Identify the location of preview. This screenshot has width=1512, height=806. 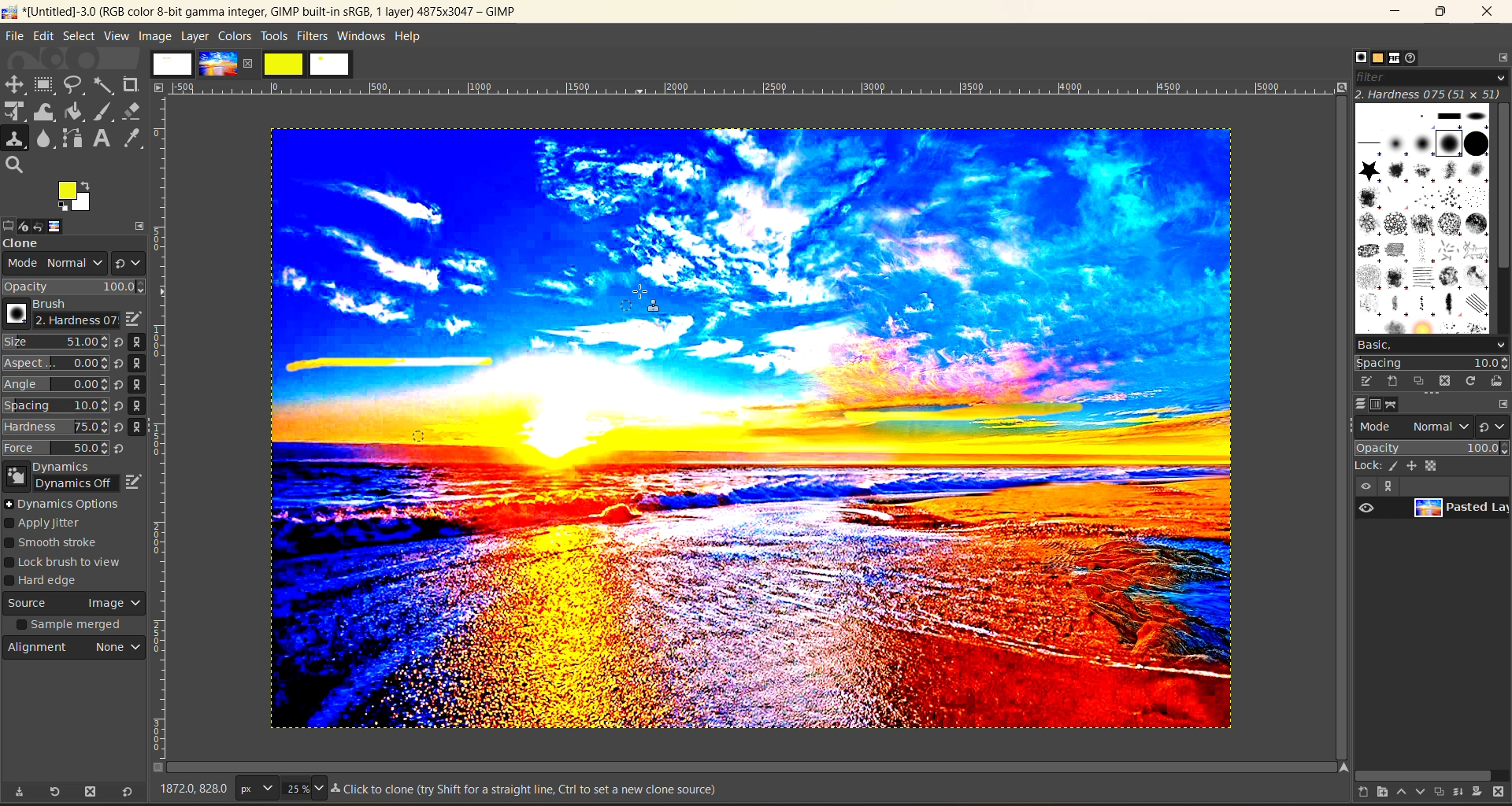
(1369, 508).